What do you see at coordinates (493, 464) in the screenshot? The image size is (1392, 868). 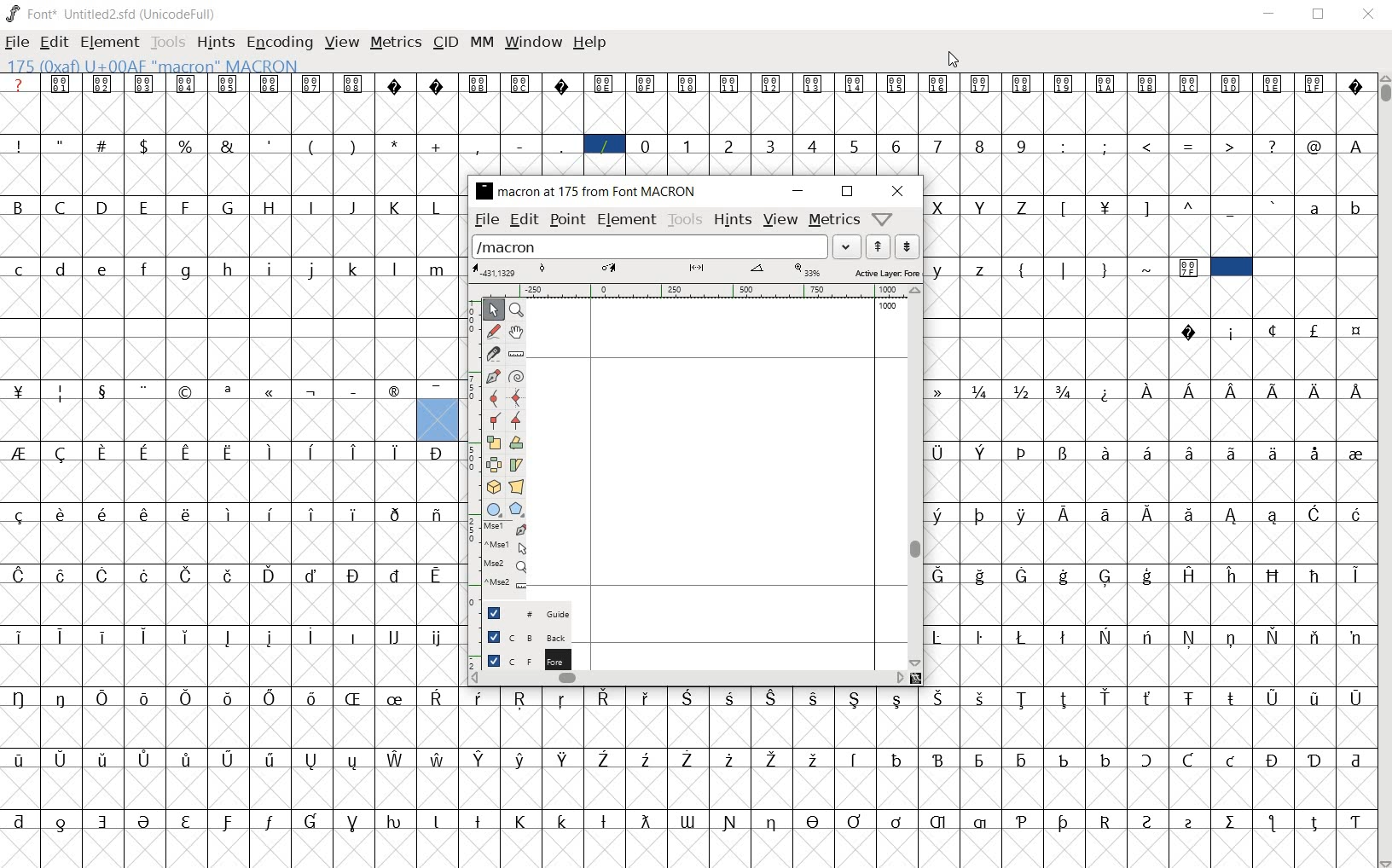 I see `flip` at bounding box center [493, 464].